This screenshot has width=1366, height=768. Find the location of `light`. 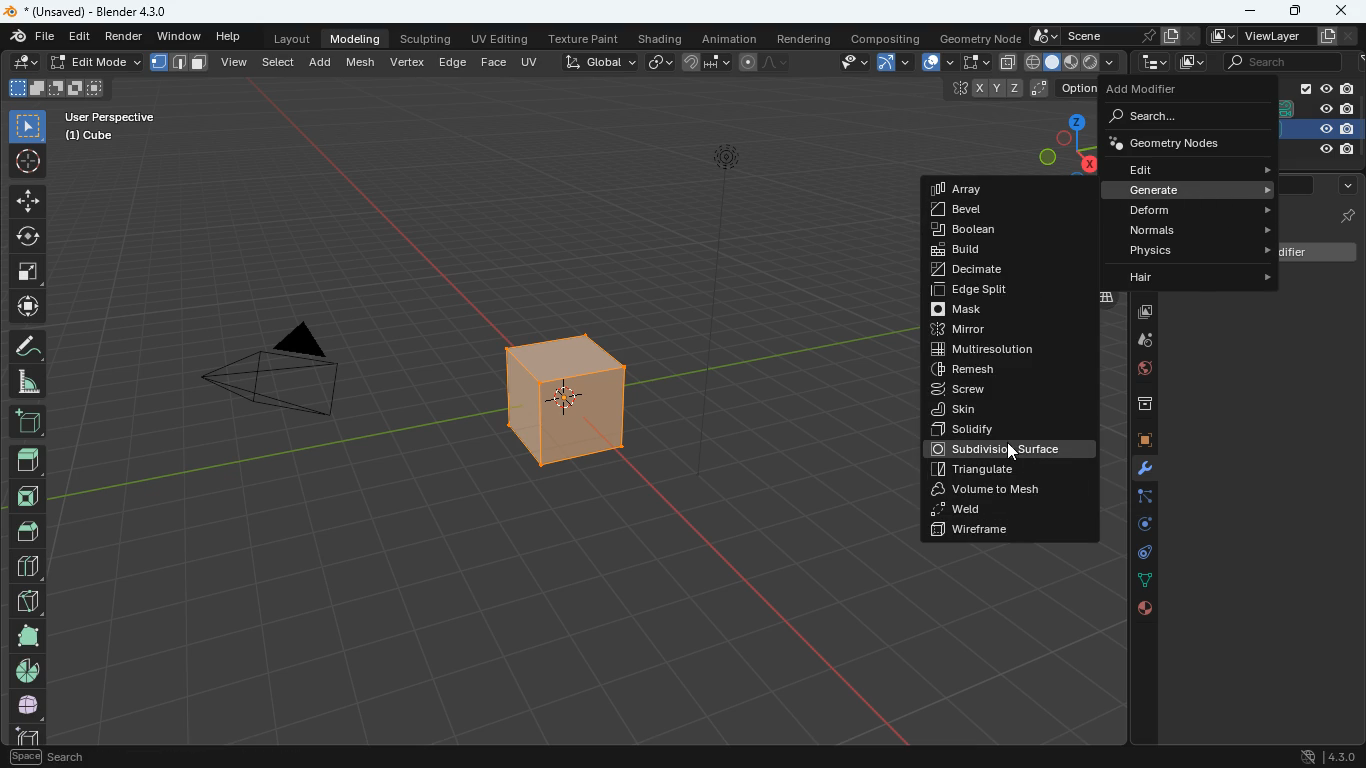

light is located at coordinates (746, 195).